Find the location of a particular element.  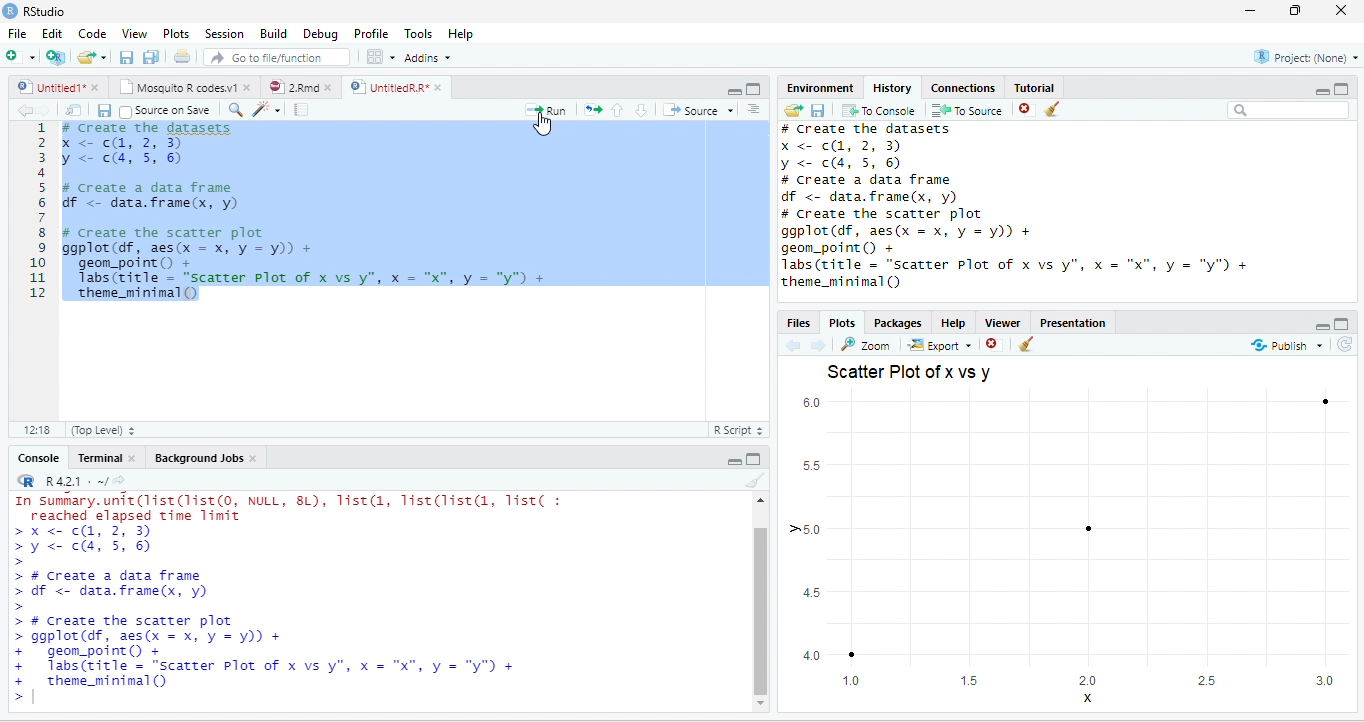

close is located at coordinates (131, 458).